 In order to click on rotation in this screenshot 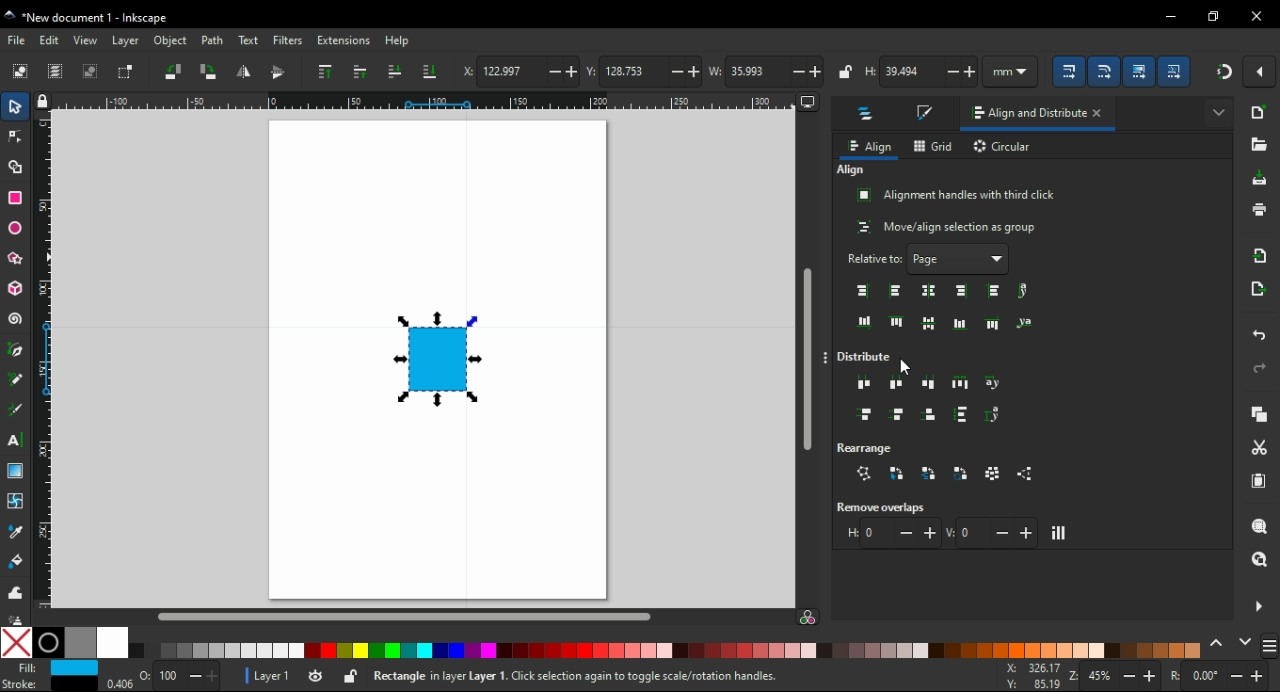, I will do `click(1220, 676)`.